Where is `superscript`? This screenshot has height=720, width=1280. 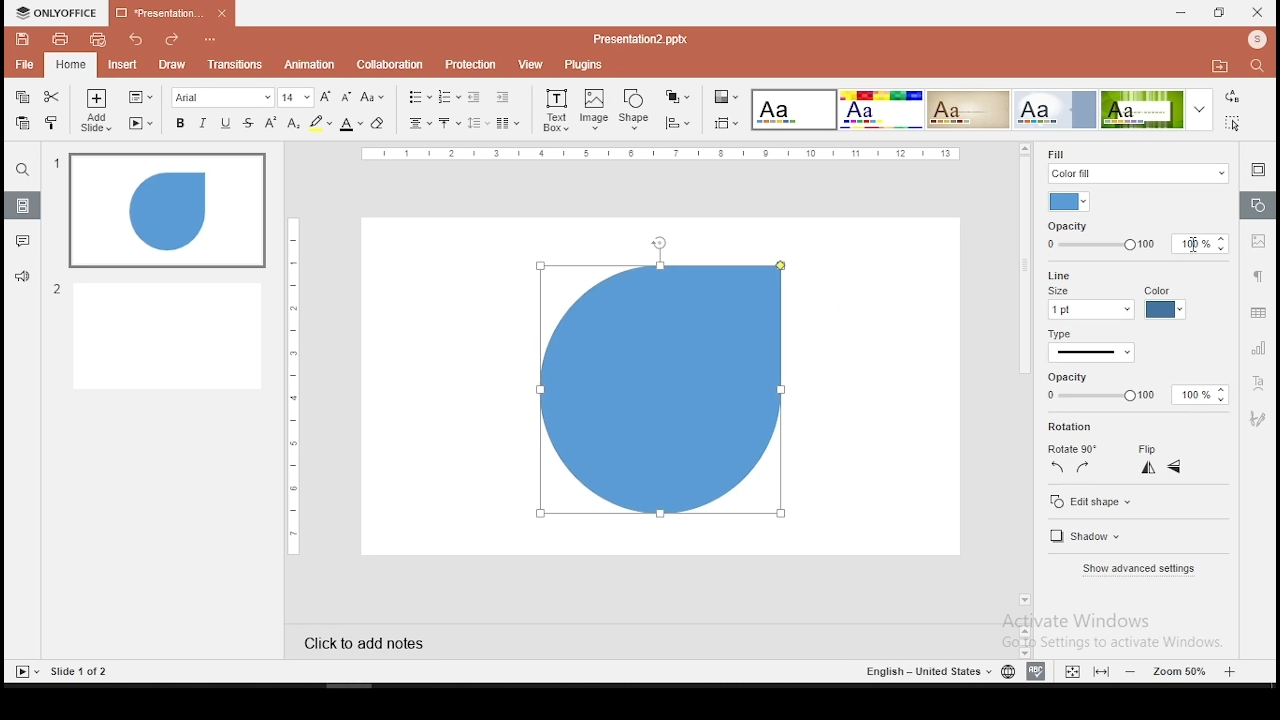 superscript is located at coordinates (272, 122).